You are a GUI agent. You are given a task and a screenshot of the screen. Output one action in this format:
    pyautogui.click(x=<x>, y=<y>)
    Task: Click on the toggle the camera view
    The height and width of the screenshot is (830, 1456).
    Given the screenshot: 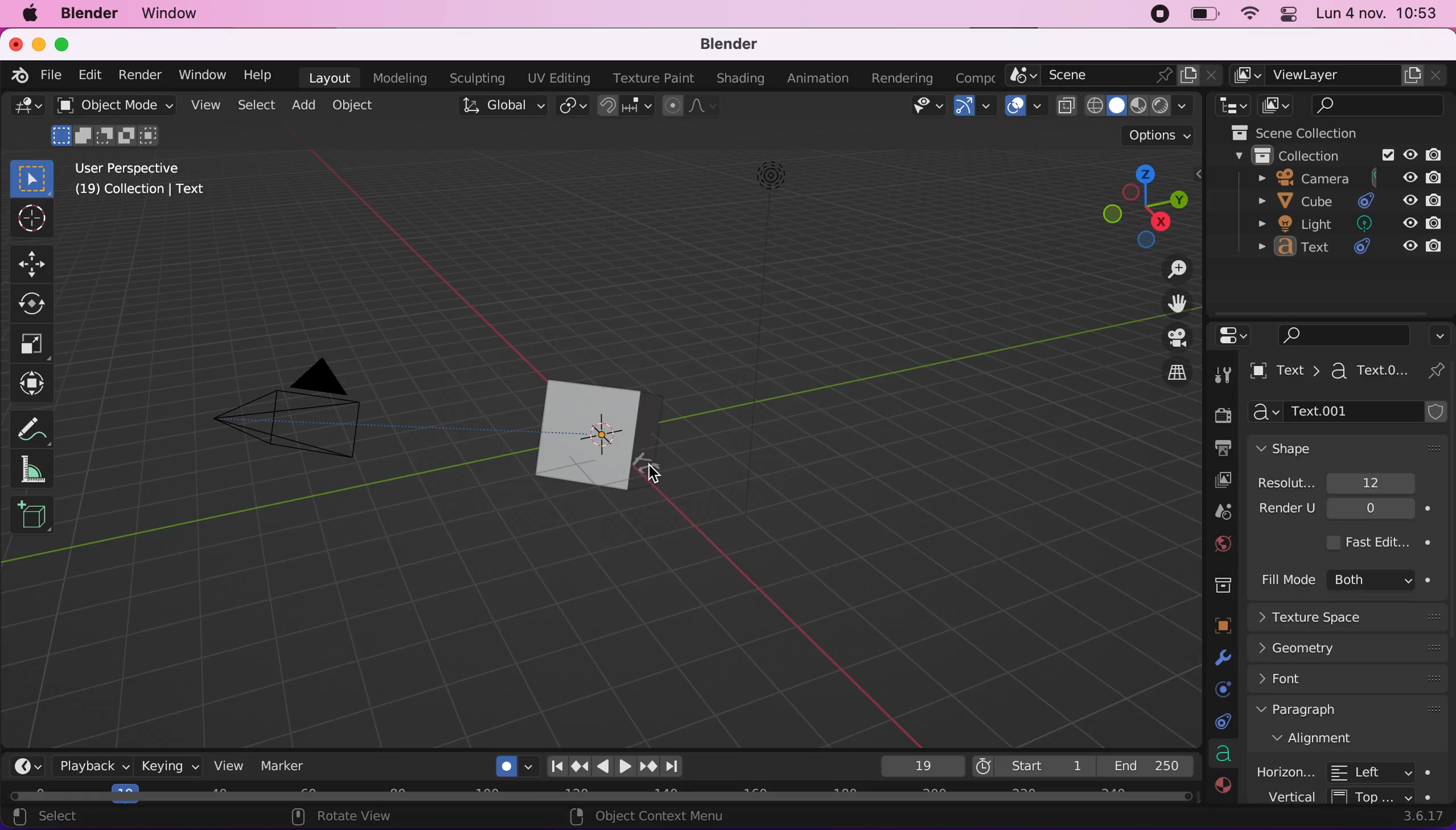 What is the action you would take?
    pyautogui.click(x=1174, y=337)
    